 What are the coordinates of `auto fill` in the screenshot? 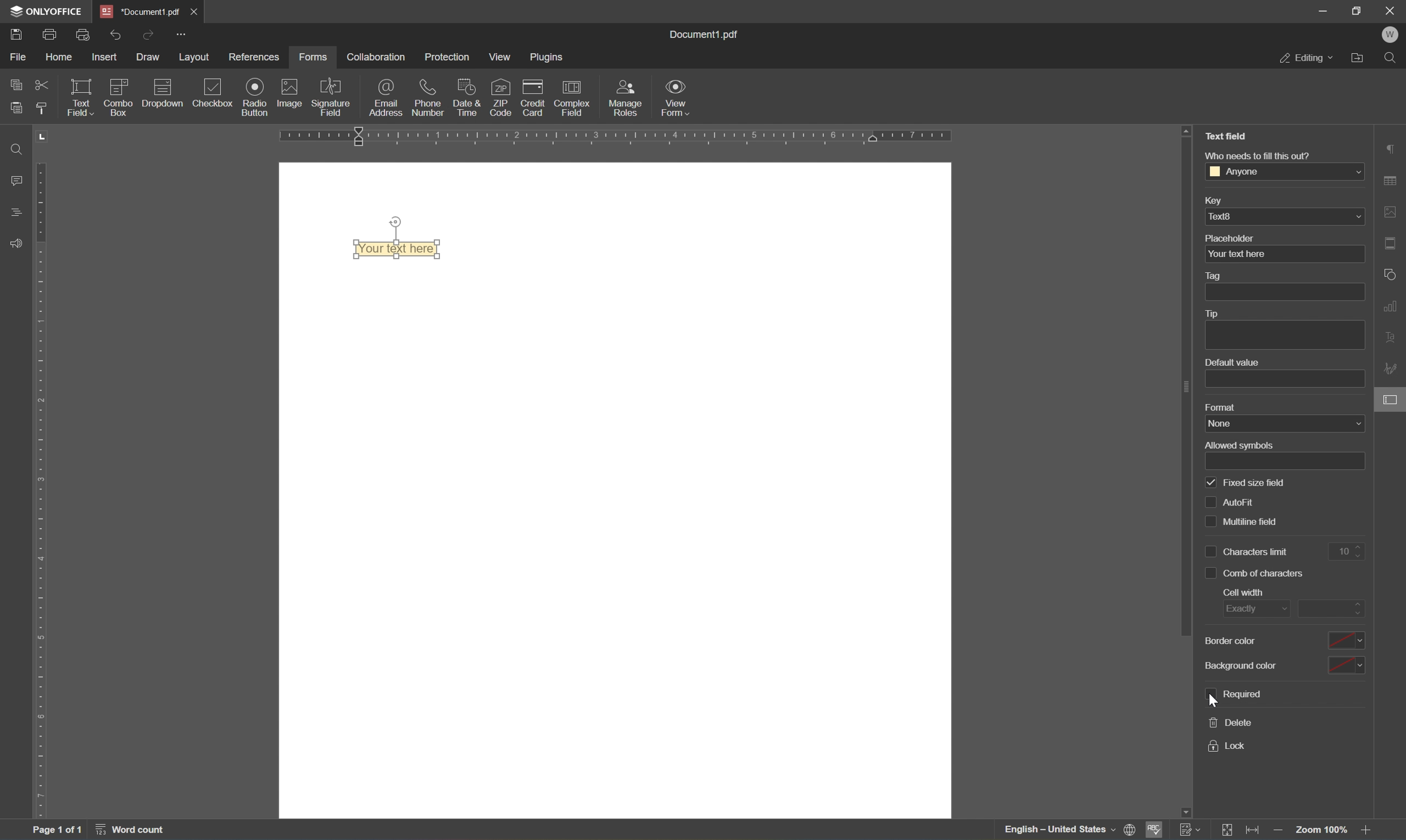 It's located at (1255, 503).